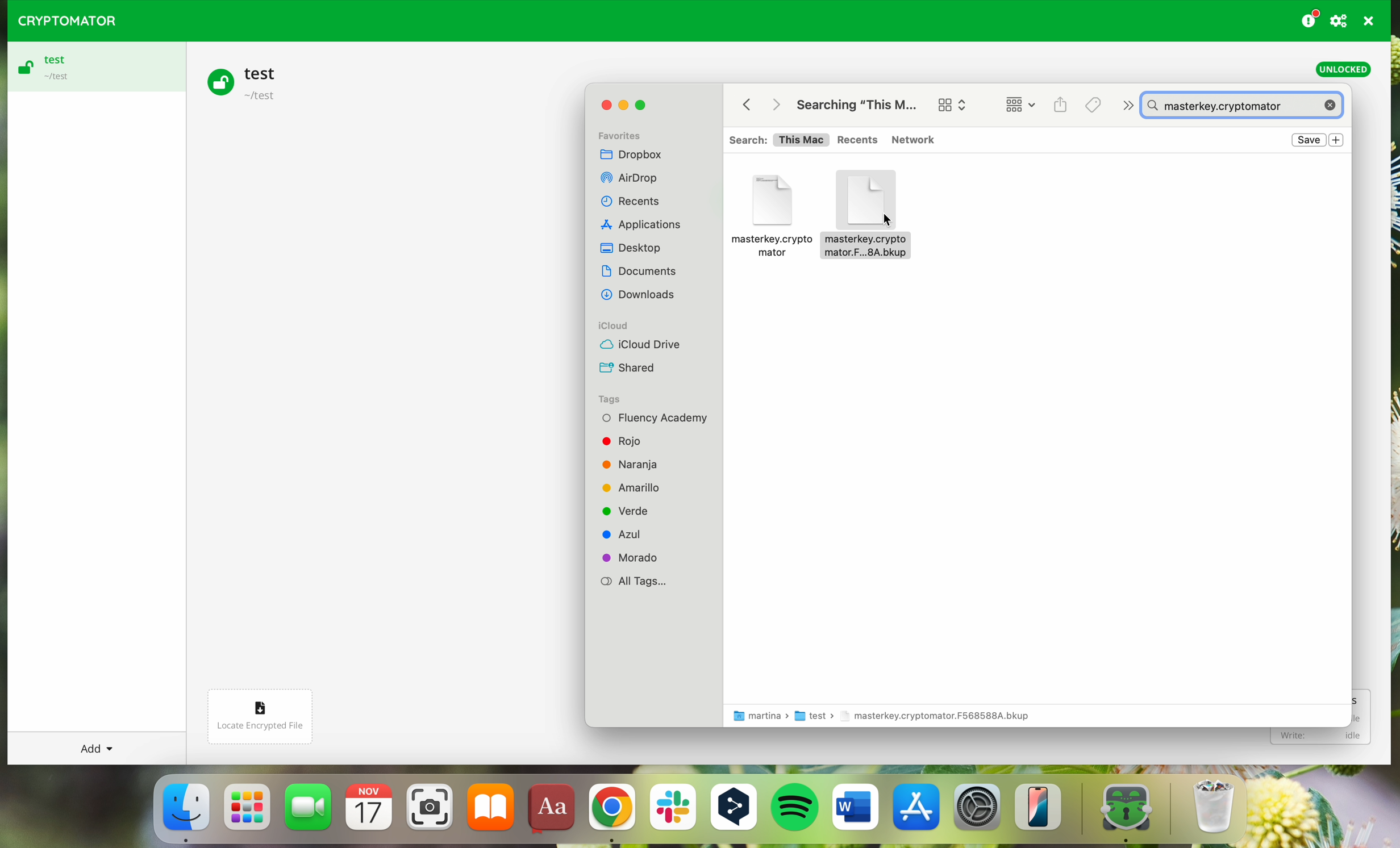 The height and width of the screenshot is (848, 1400). I want to click on calendar, so click(369, 812).